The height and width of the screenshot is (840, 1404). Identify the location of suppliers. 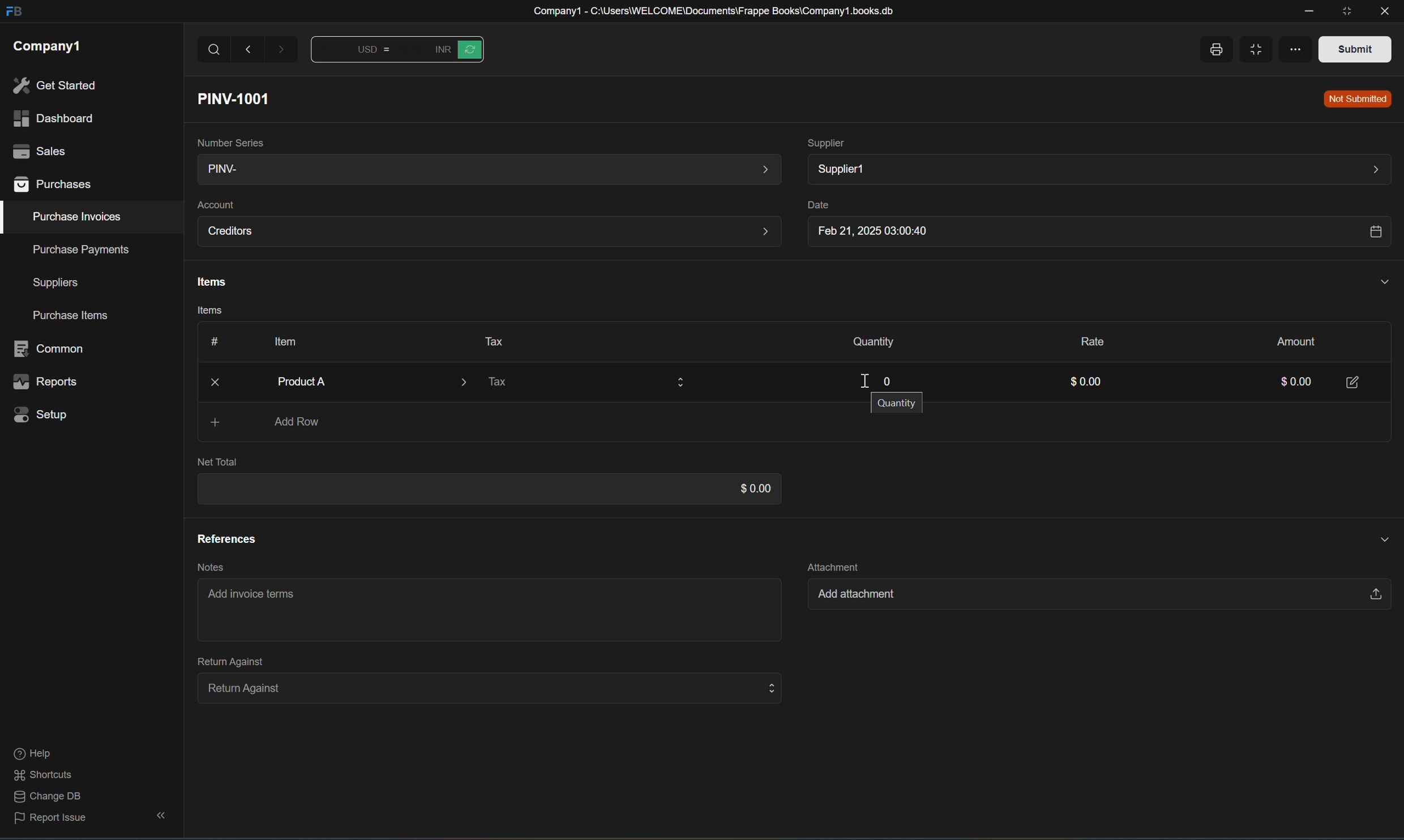
(55, 283).